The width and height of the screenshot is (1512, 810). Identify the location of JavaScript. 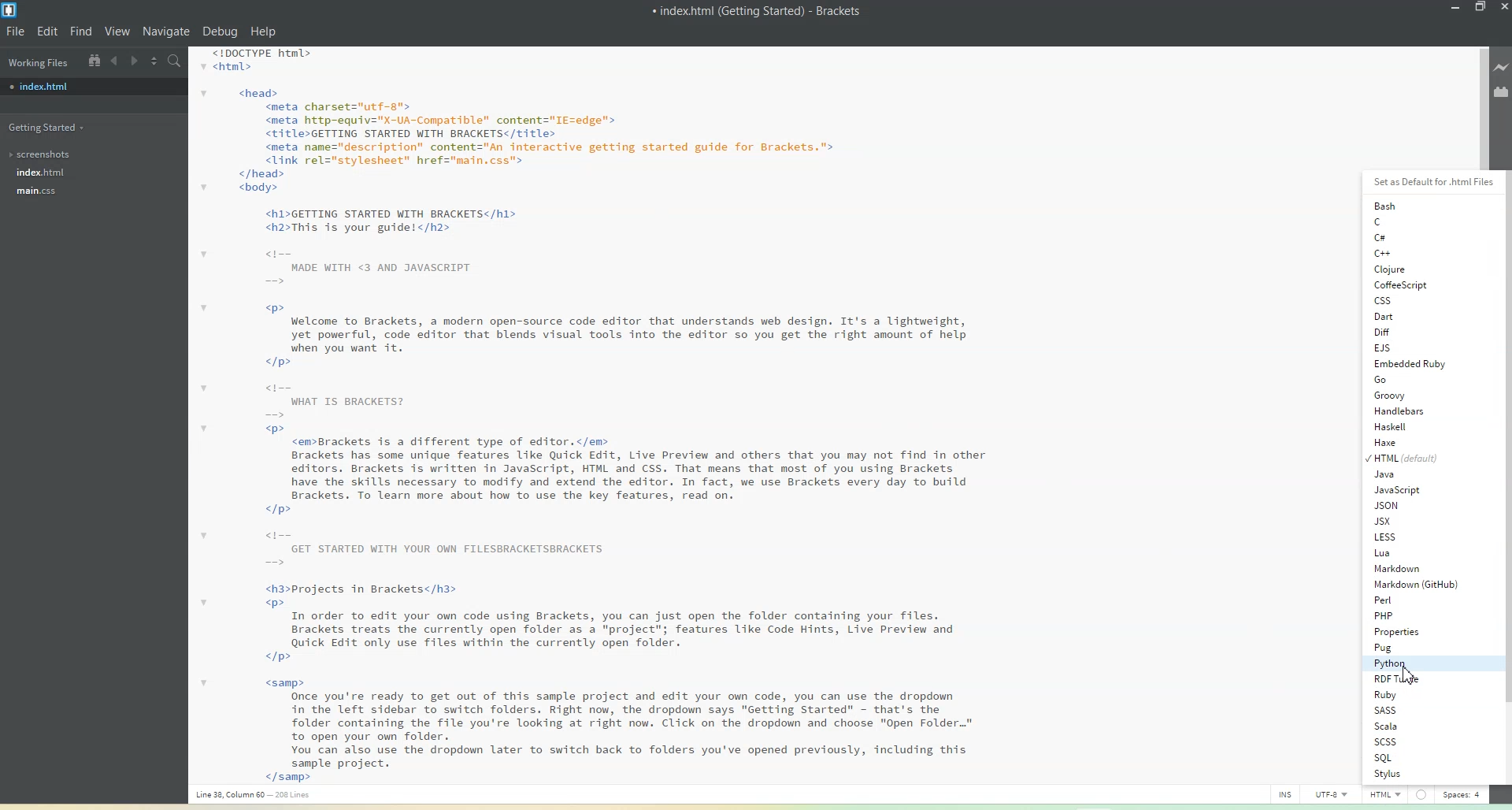
(1411, 489).